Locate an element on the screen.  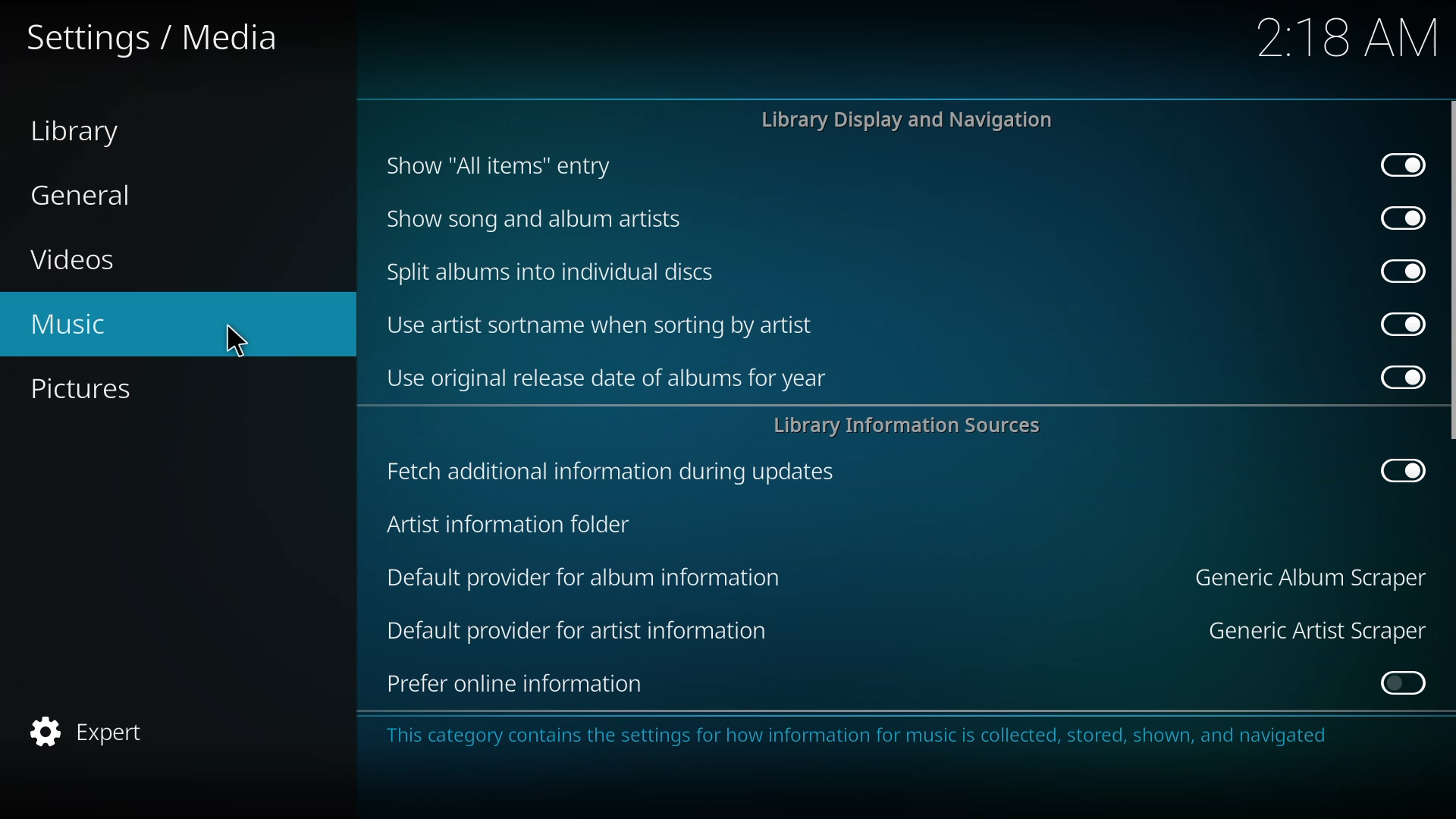
library is located at coordinates (83, 132).